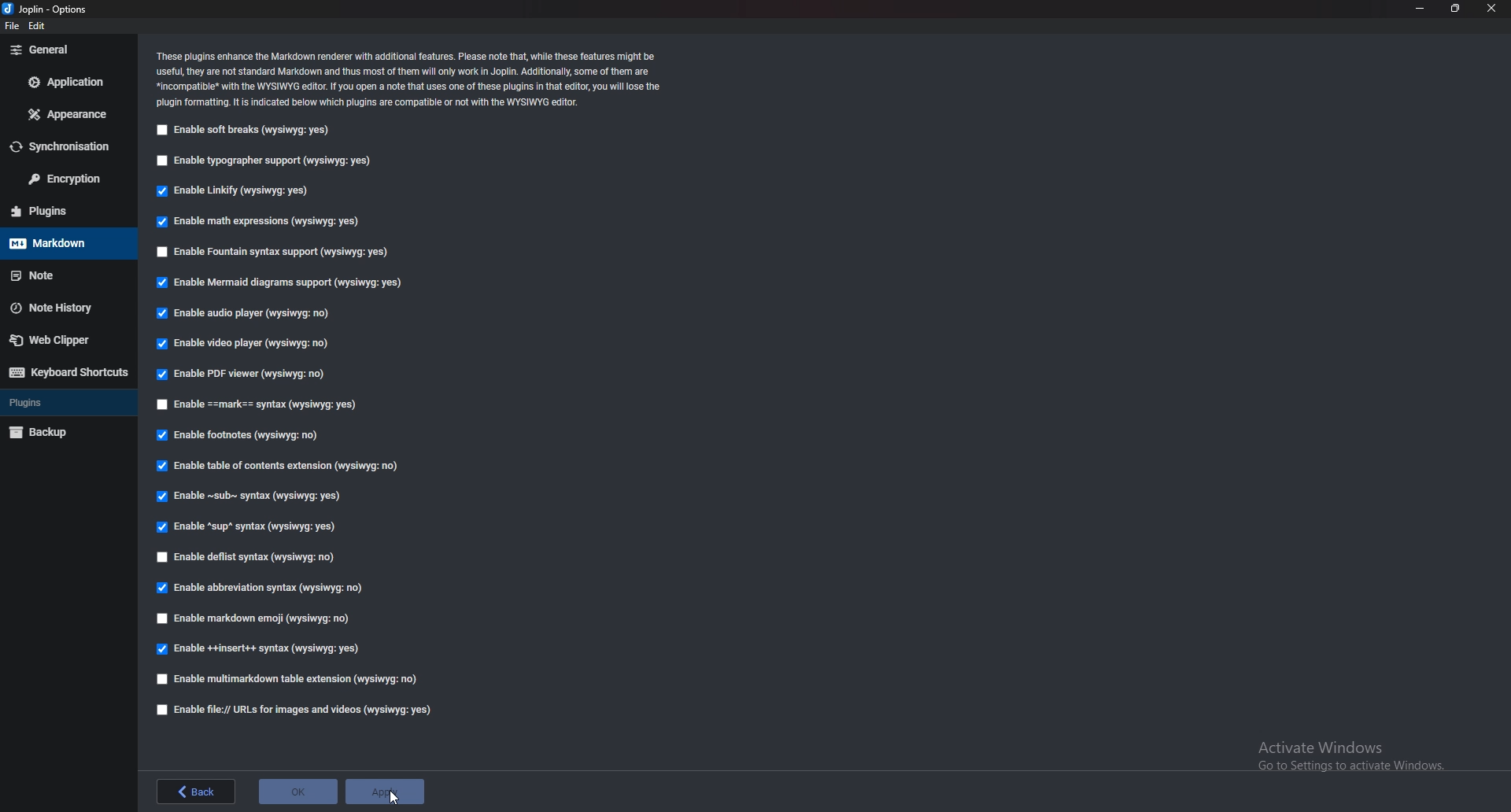  Describe the element at coordinates (68, 50) in the screenshot. I see `general` at that location.